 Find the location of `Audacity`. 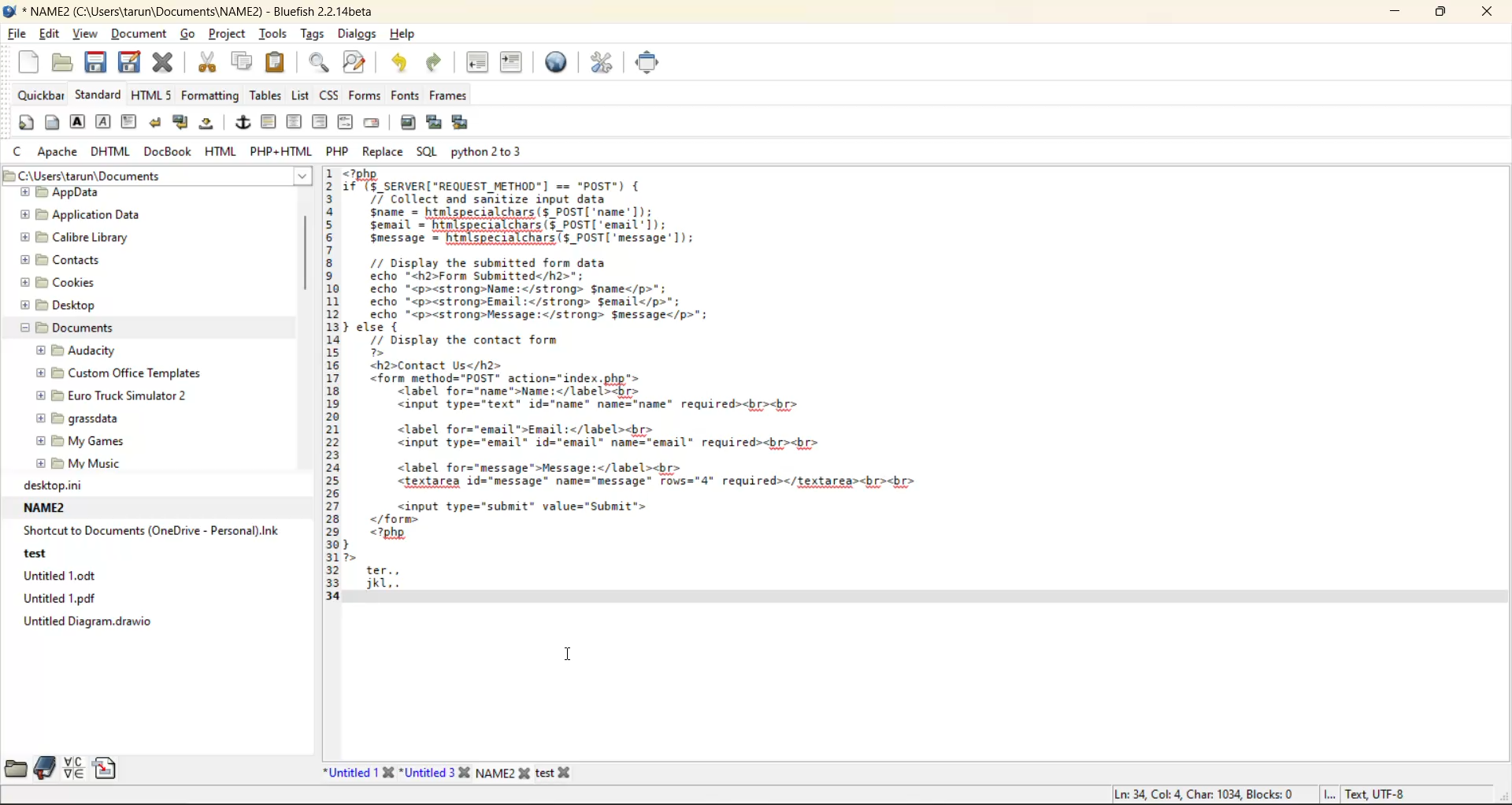

Audacity is located at coordinates (81, 351).